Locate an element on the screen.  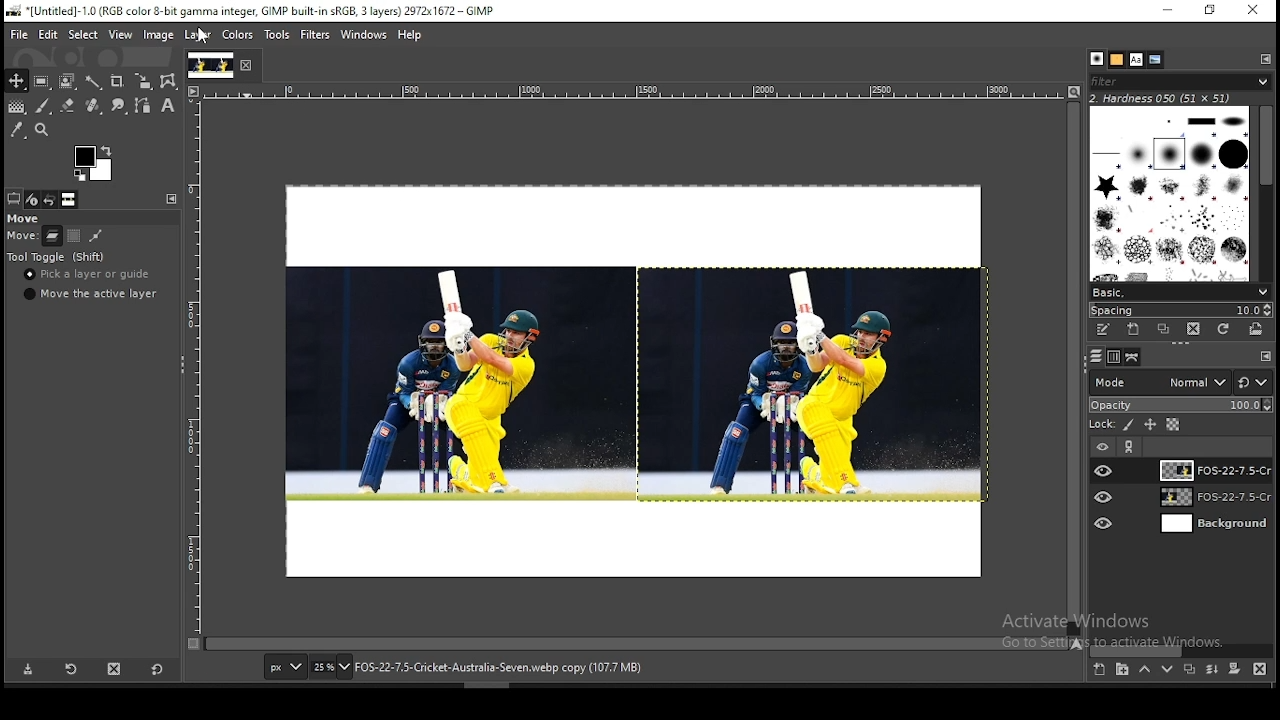
move layer is located at coordinates (52, 236).